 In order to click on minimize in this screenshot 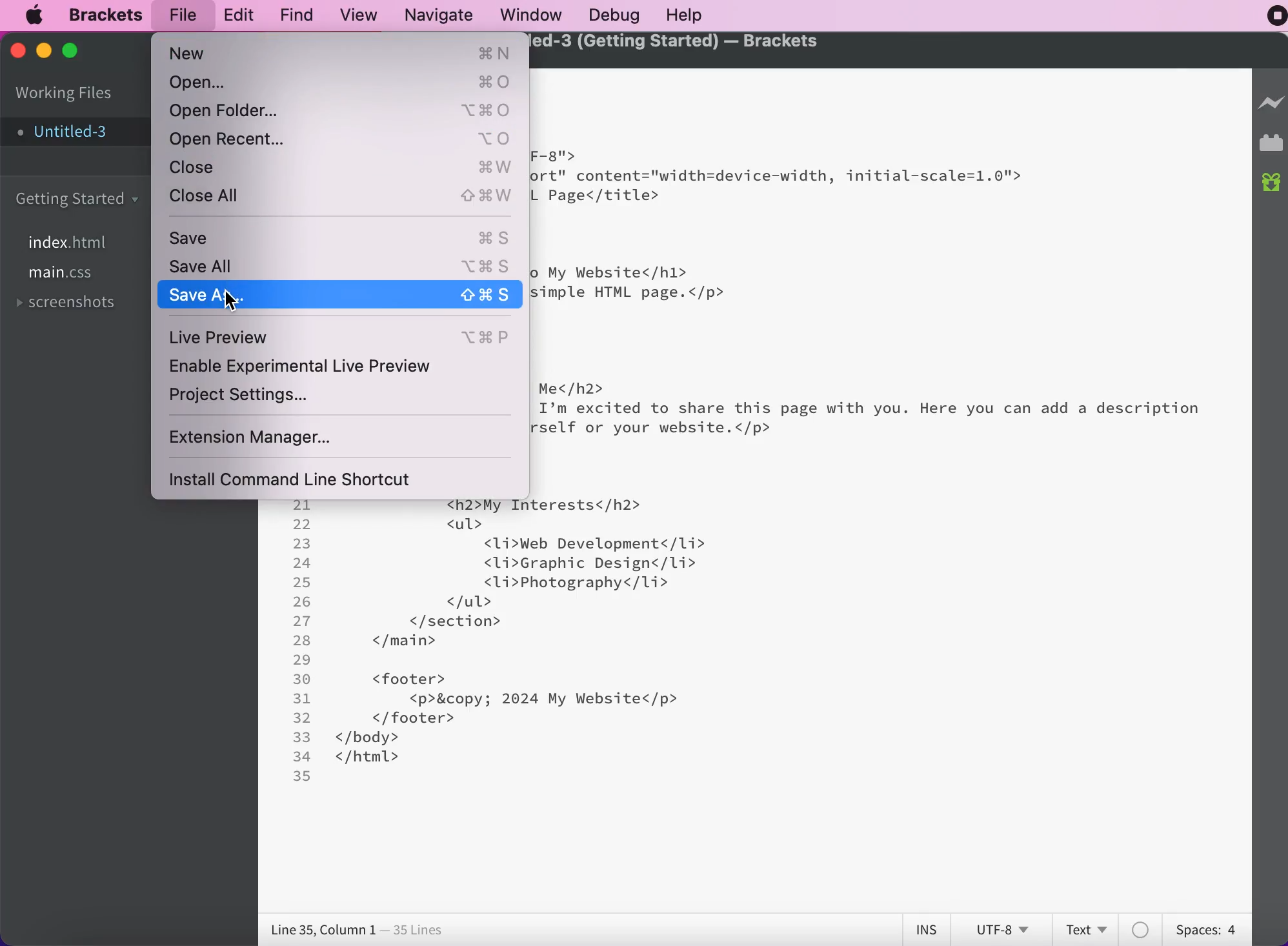, I will do `click(45, 51)`.